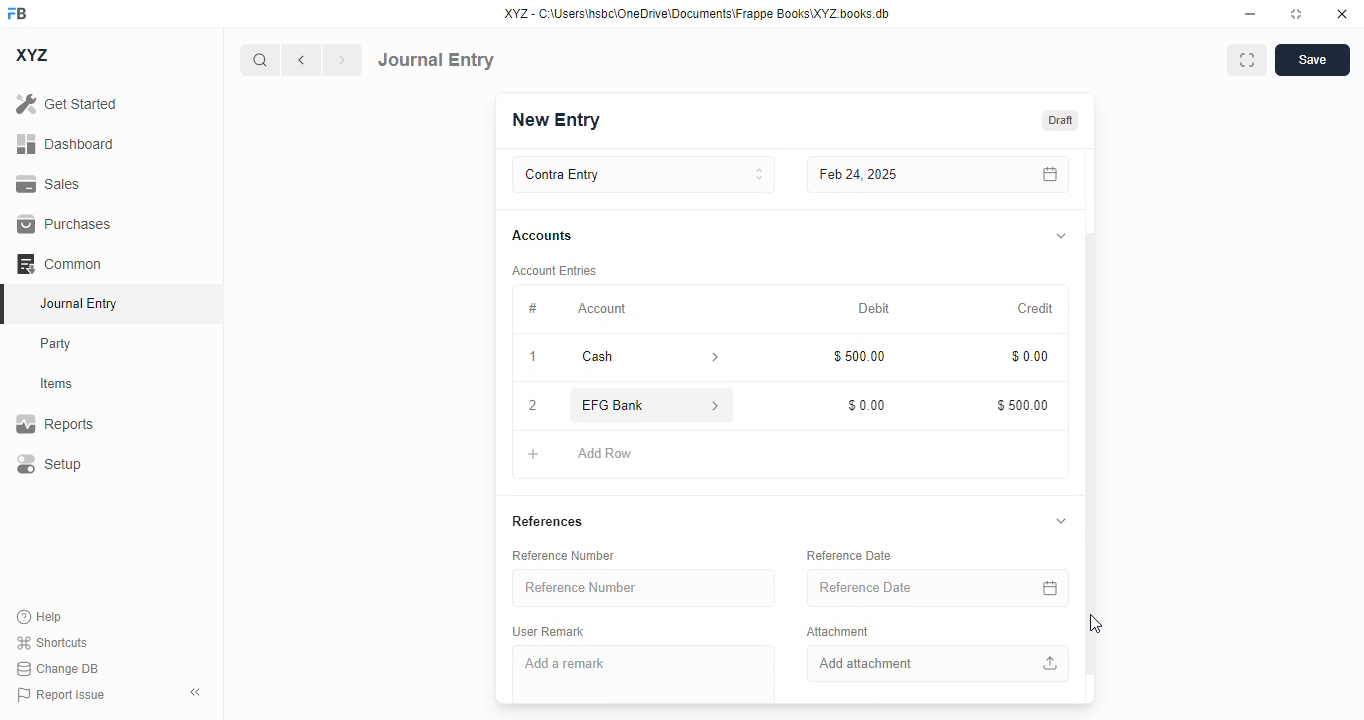 The width and height of the screenshot is (1364, 720). I want to click on common, so click(59, 263).